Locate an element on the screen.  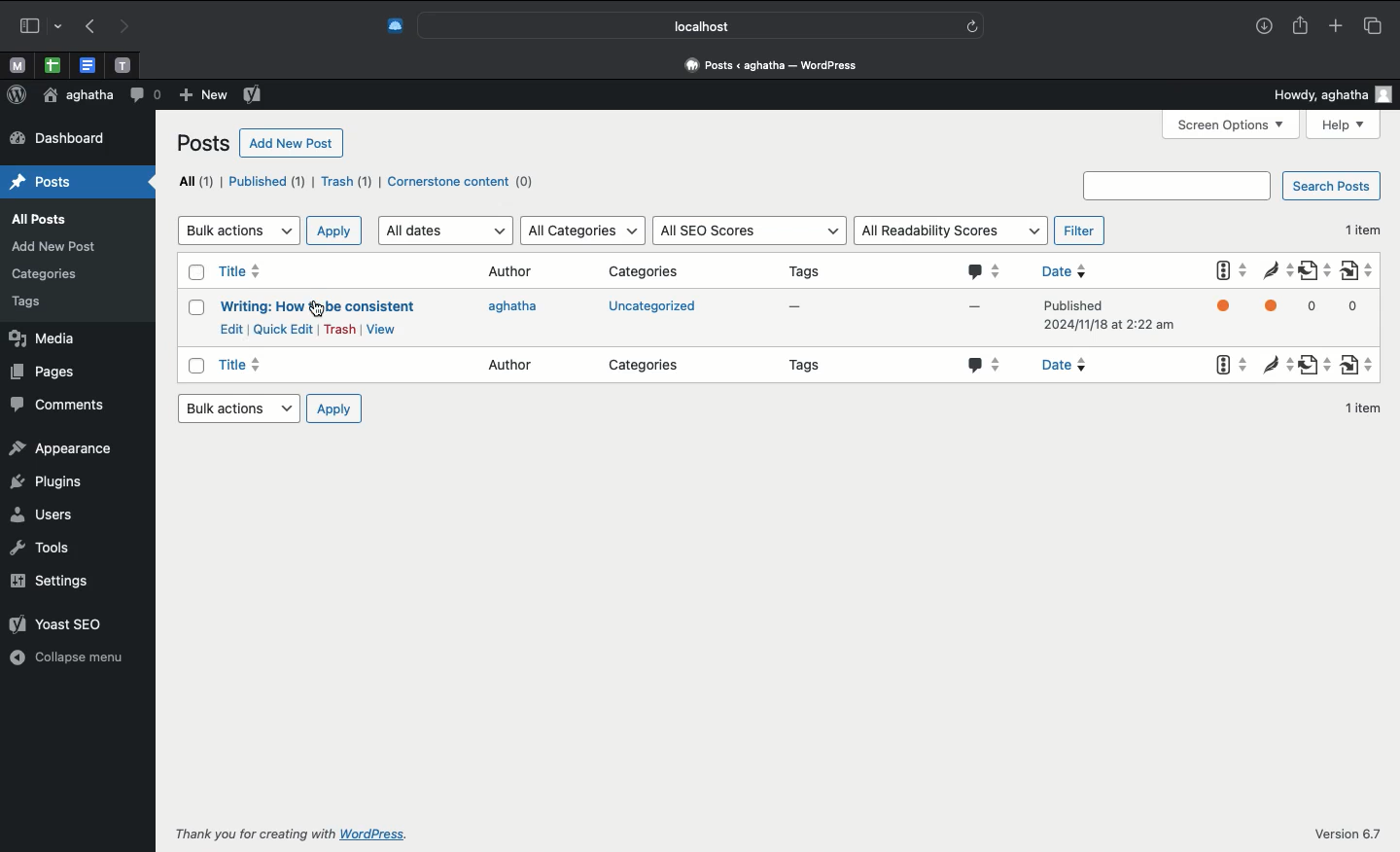
Comment is located at coordinates (980, 366).